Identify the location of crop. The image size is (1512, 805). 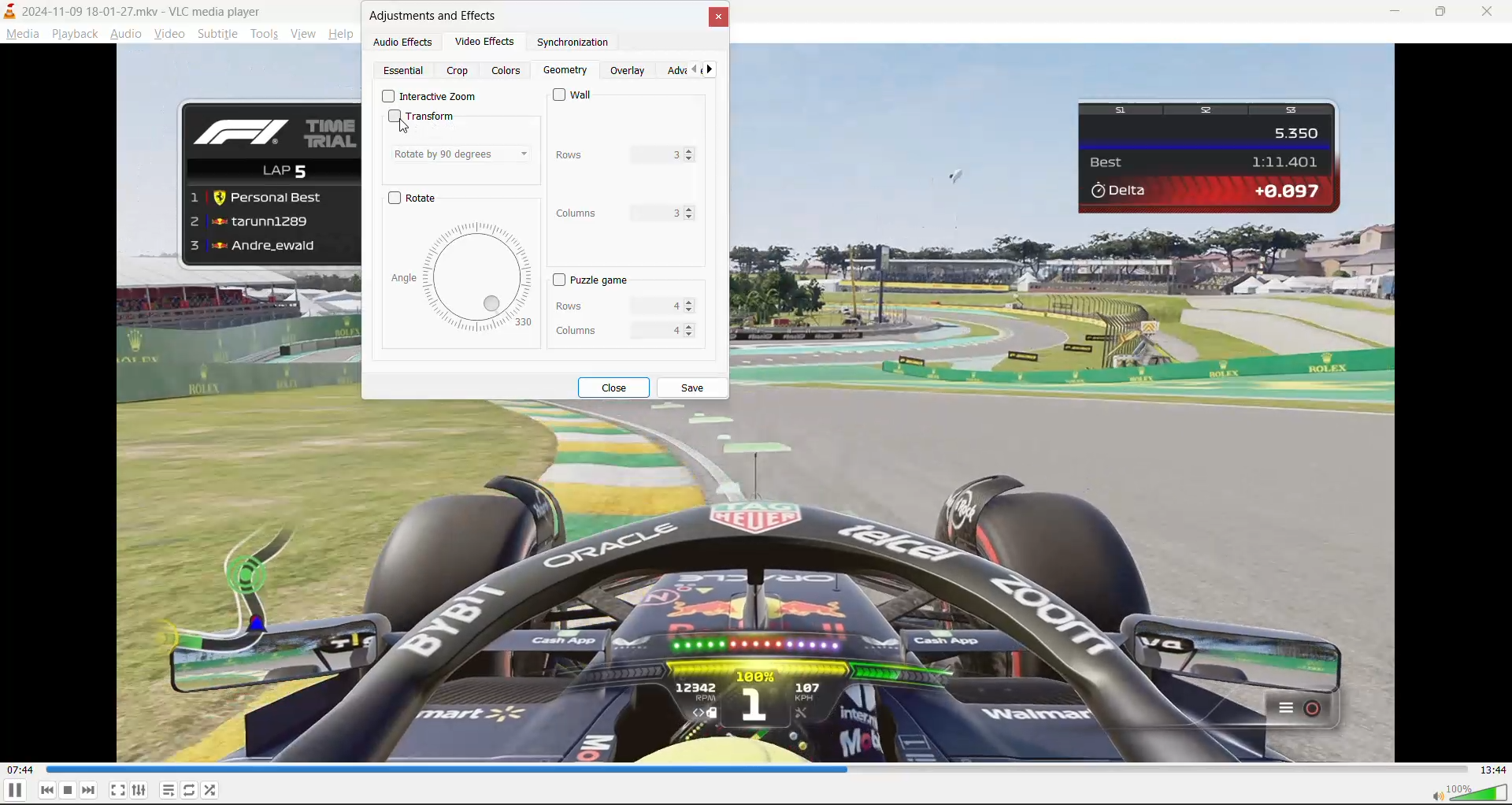
(460, 71).